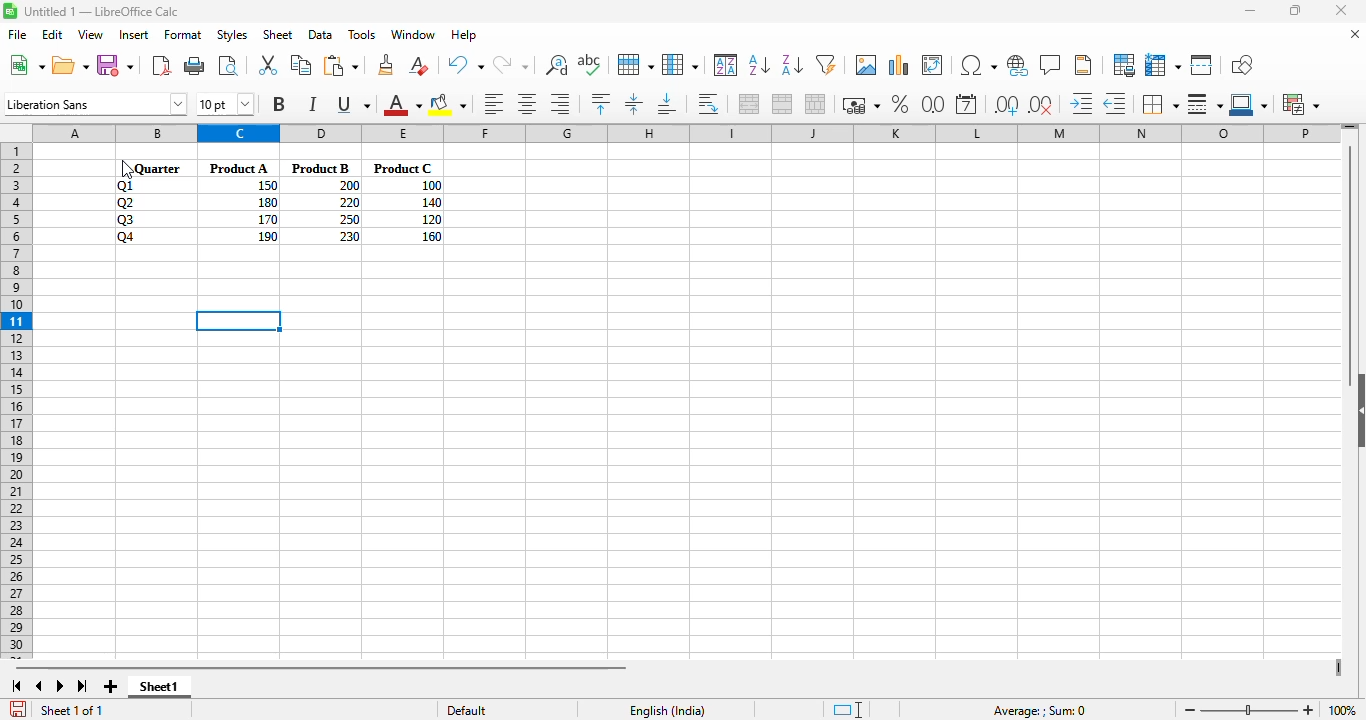  I want to click on Product A, so click(239, 168).